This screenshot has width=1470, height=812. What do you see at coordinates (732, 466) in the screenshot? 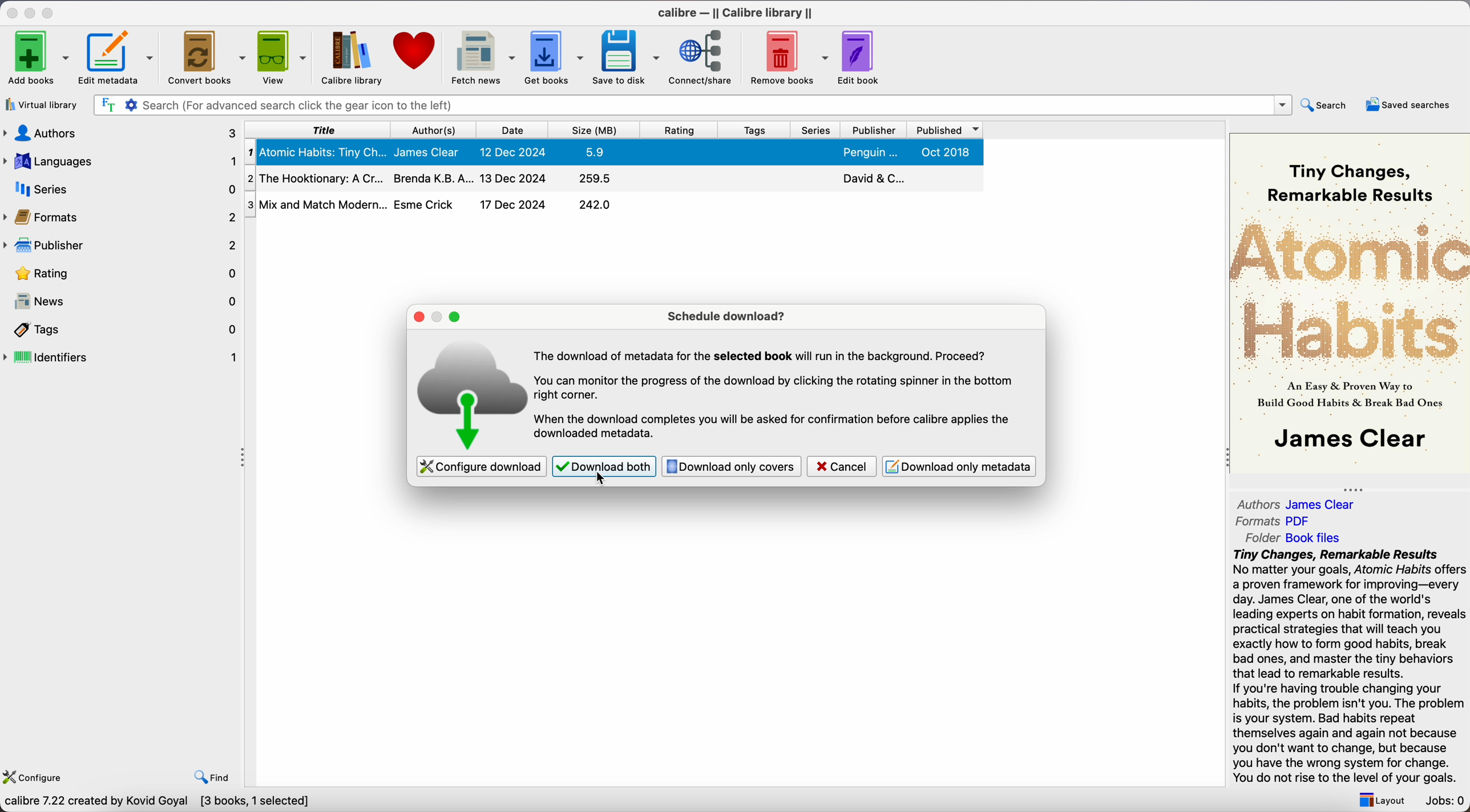
I see `download only covers` at bounding box center [732, 466].